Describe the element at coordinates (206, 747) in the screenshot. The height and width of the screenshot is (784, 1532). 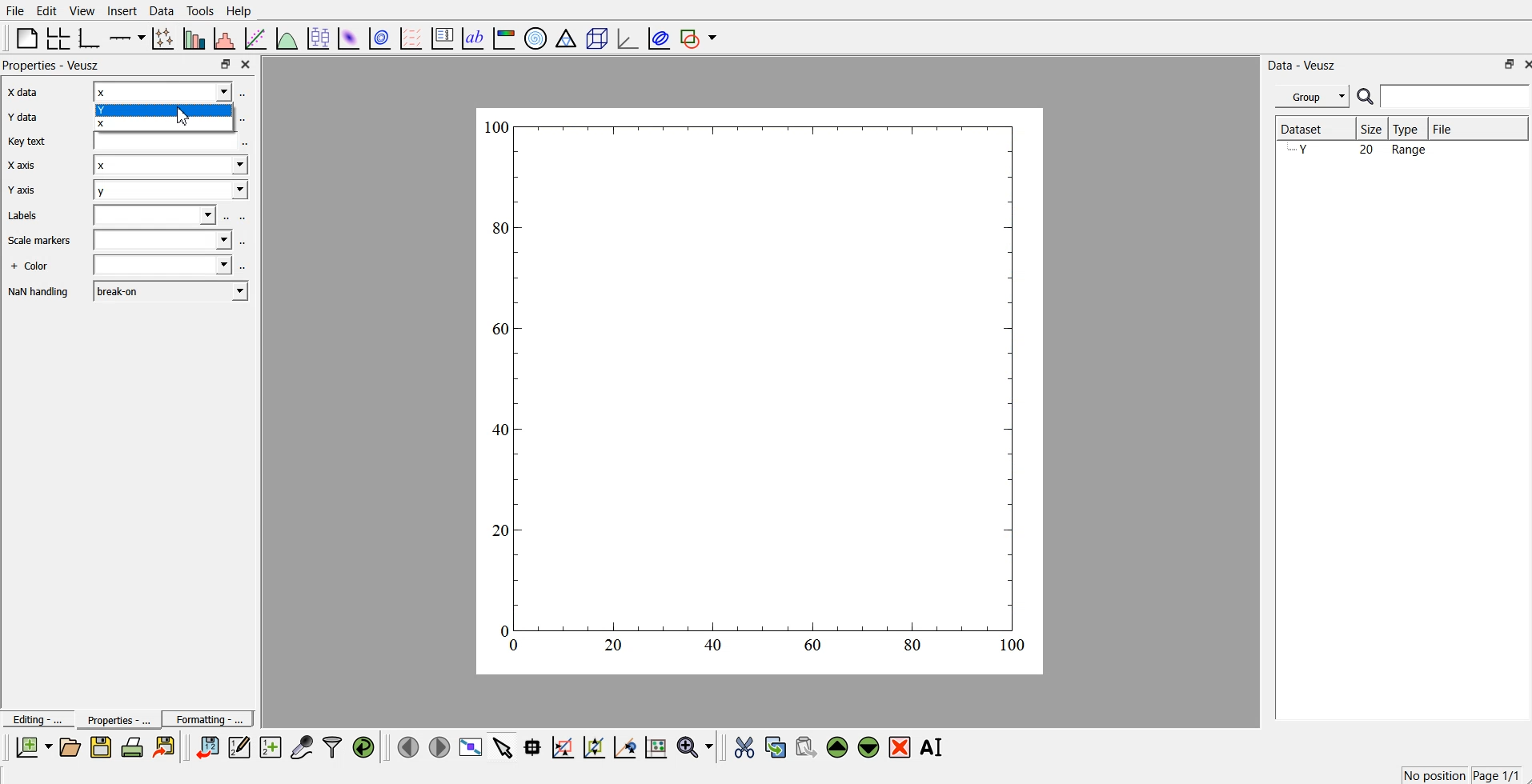
I see `Enter dataset into Veusz` at that location.